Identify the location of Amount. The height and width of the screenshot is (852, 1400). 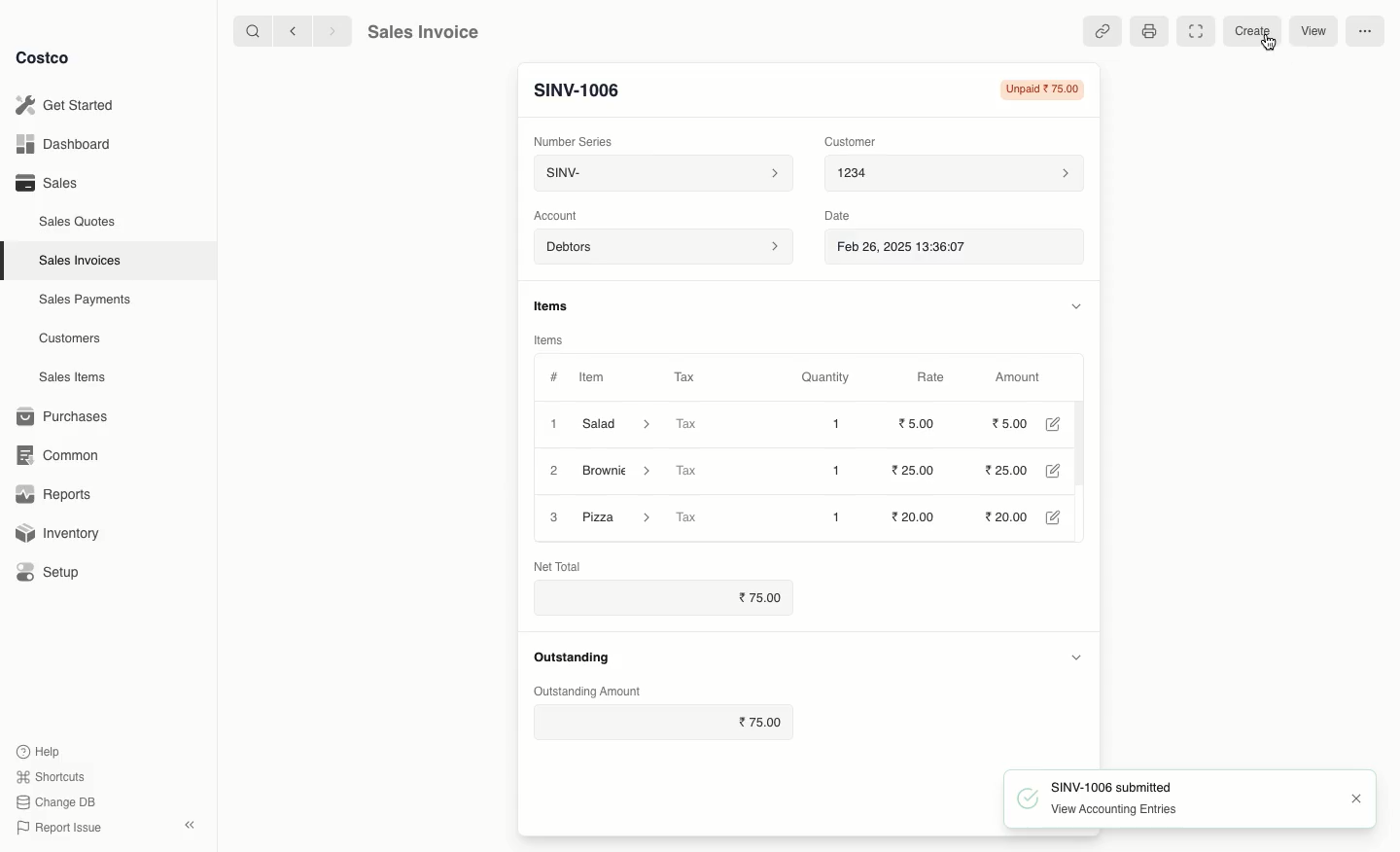
(1015, 377).